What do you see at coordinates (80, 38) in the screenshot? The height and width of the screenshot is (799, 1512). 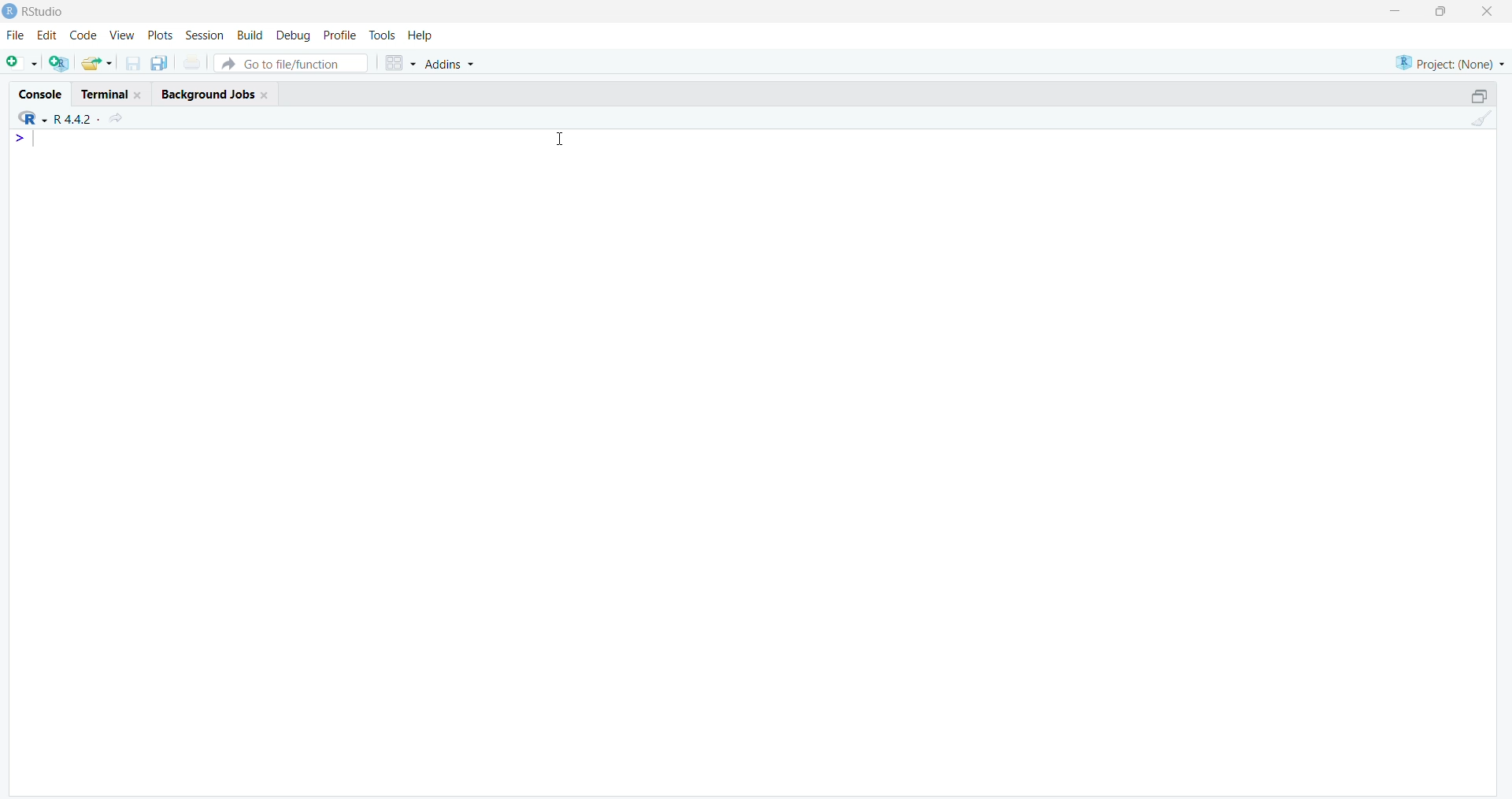 I see `Code` at bounding box center [80, 38].